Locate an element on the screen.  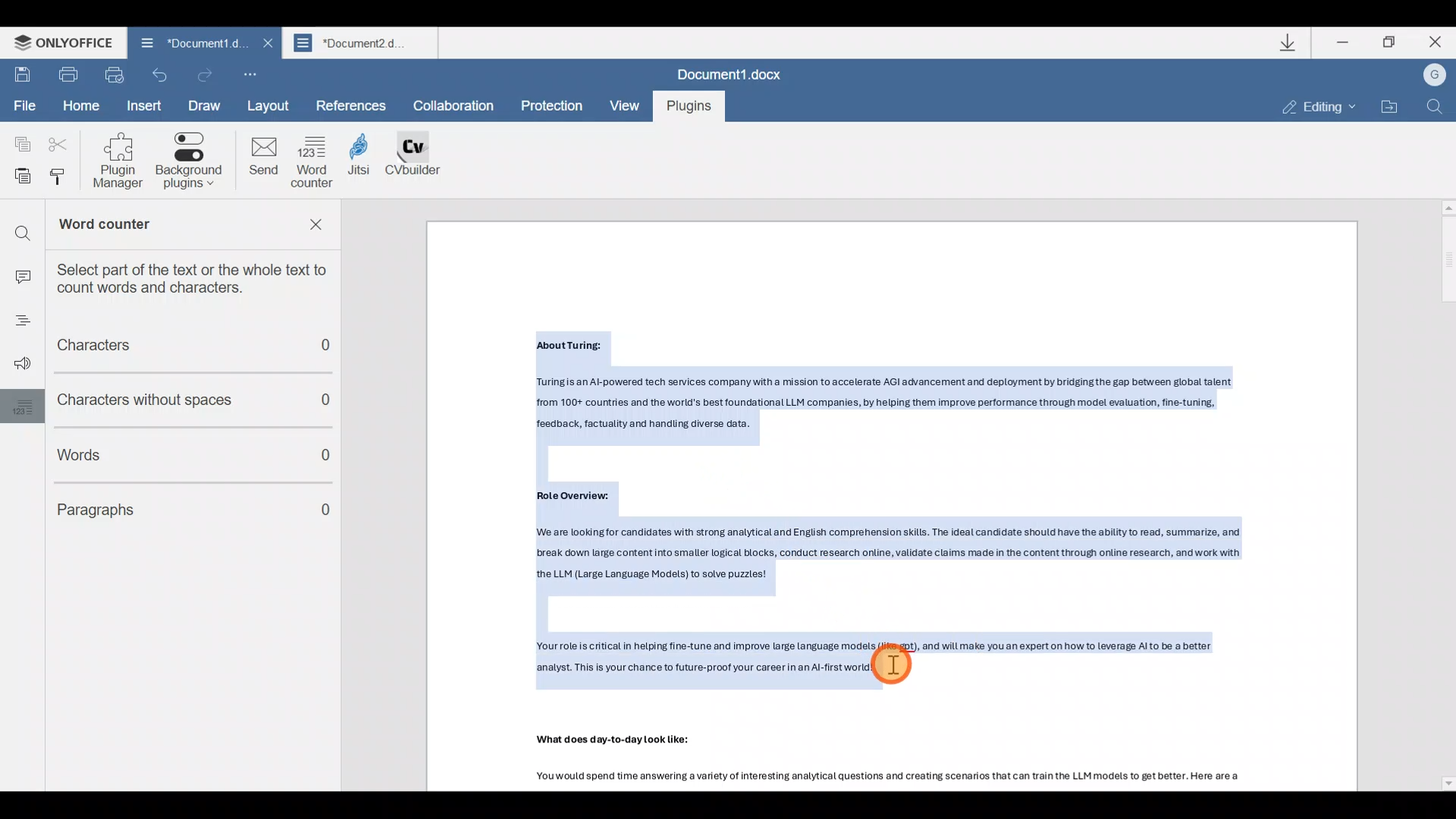
Undo is located at coordinates (159, 76).